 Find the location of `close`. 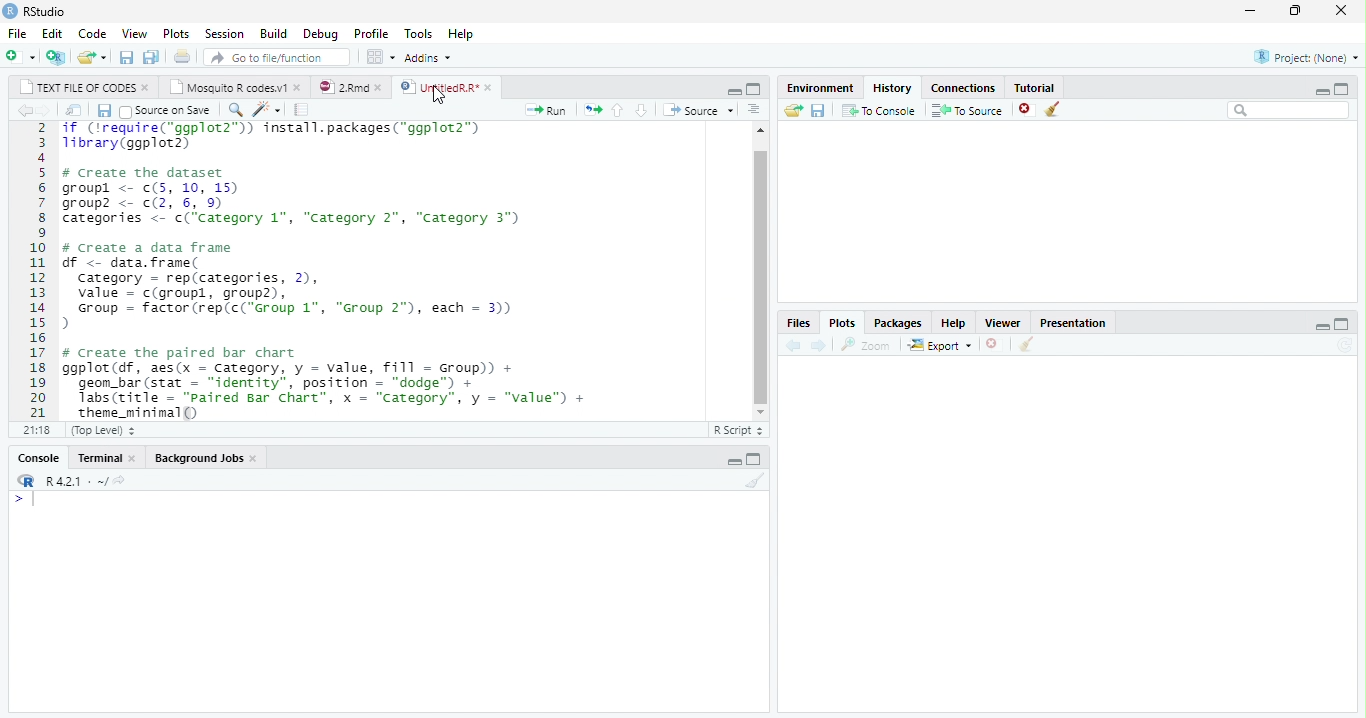

close is located at coordinates (298, 88).